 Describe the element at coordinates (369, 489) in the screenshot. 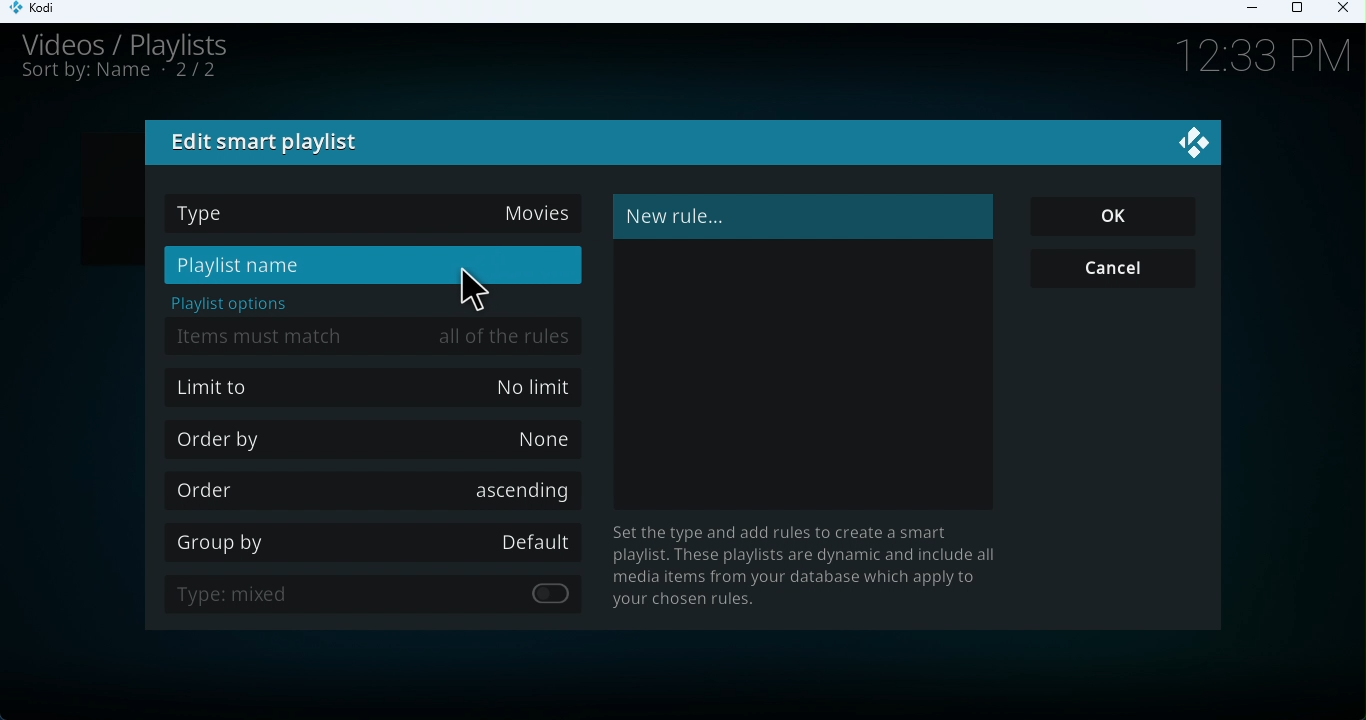

I see `Order` at that location.